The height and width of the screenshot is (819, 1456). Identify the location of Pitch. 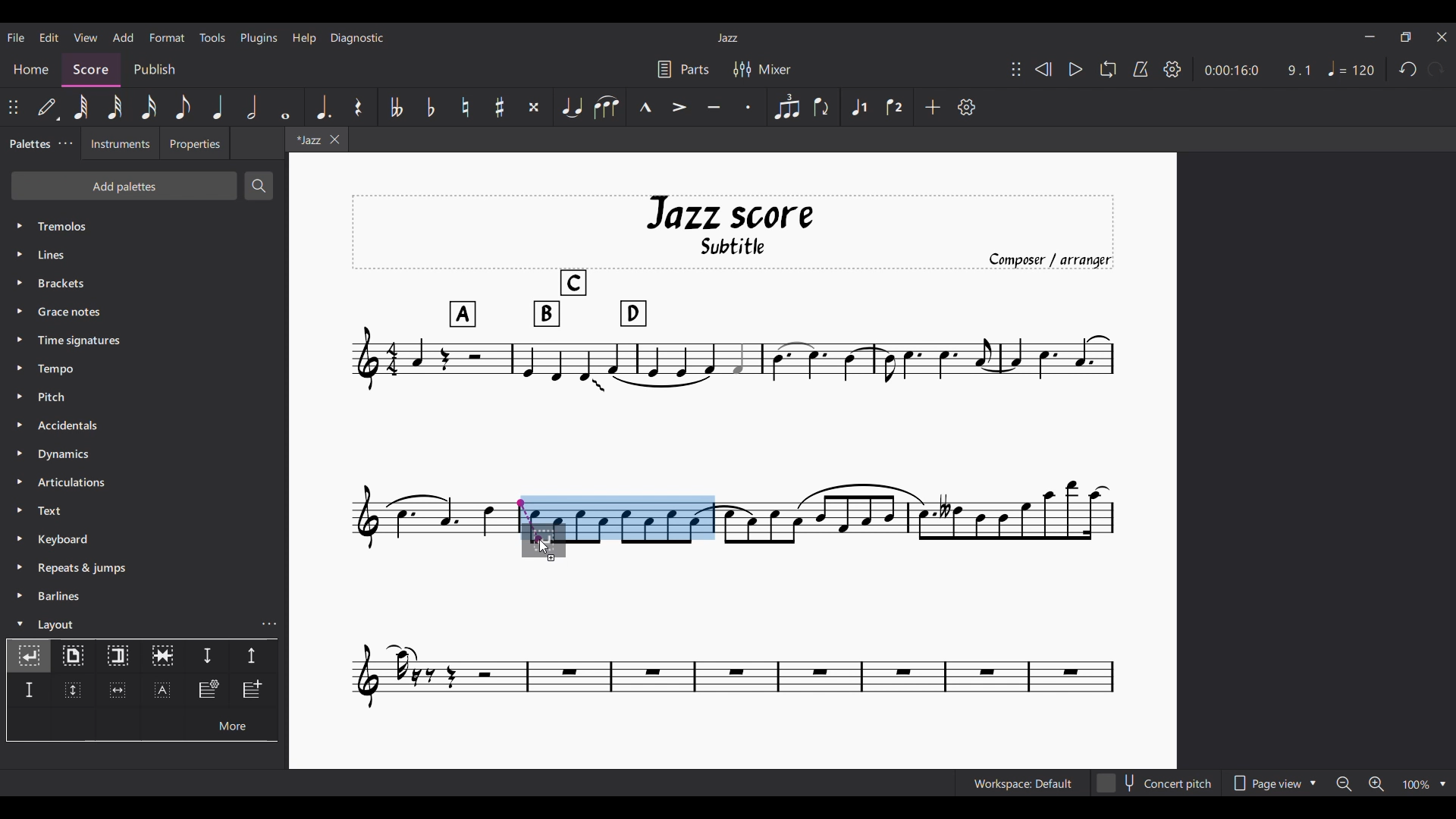
(143, 397).